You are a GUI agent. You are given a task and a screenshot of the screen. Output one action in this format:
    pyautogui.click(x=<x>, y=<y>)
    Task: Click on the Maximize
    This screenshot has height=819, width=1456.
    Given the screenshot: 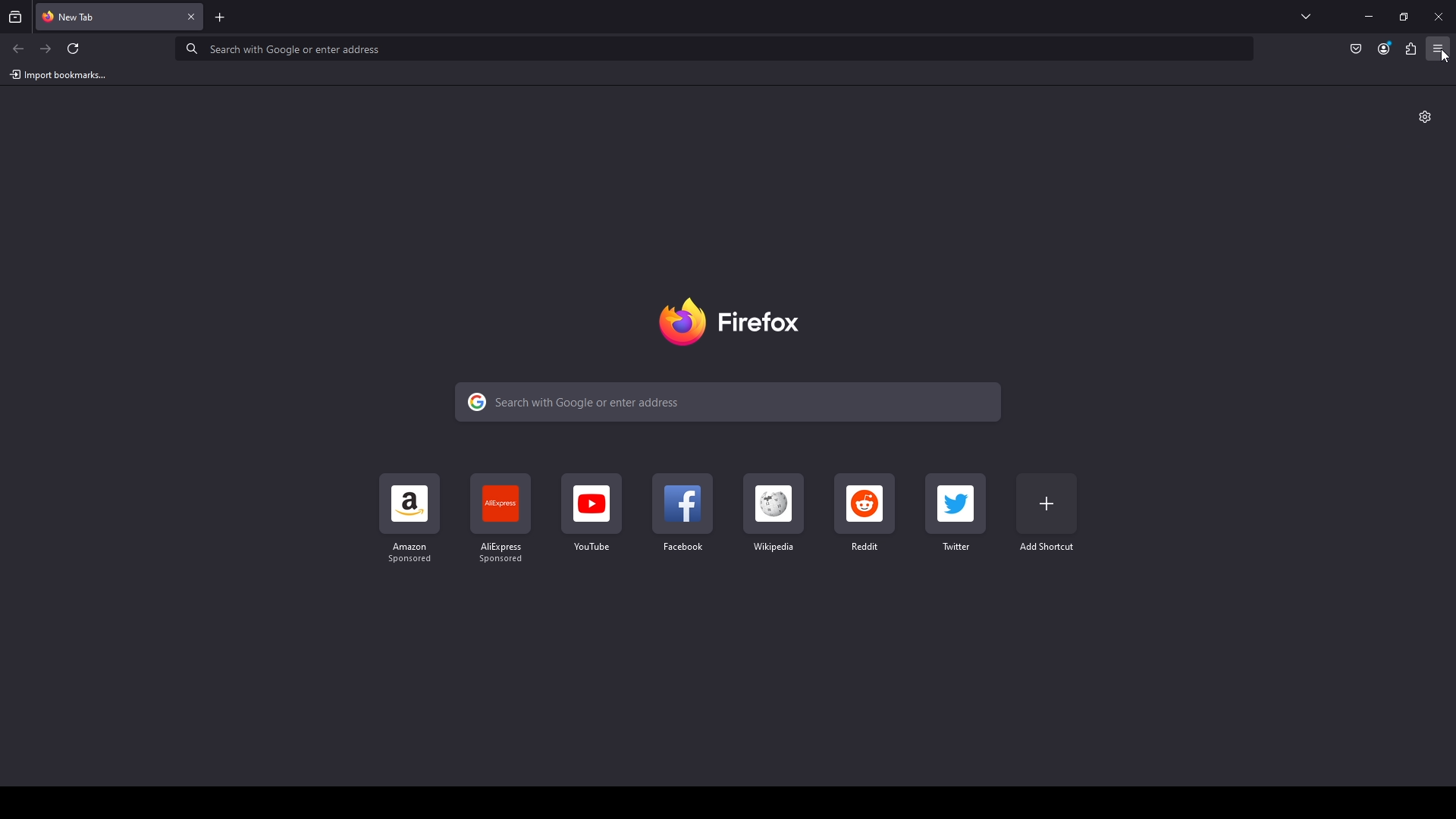 What is the action you would take?
    pyautogui.click(x=1404, y=18)
    